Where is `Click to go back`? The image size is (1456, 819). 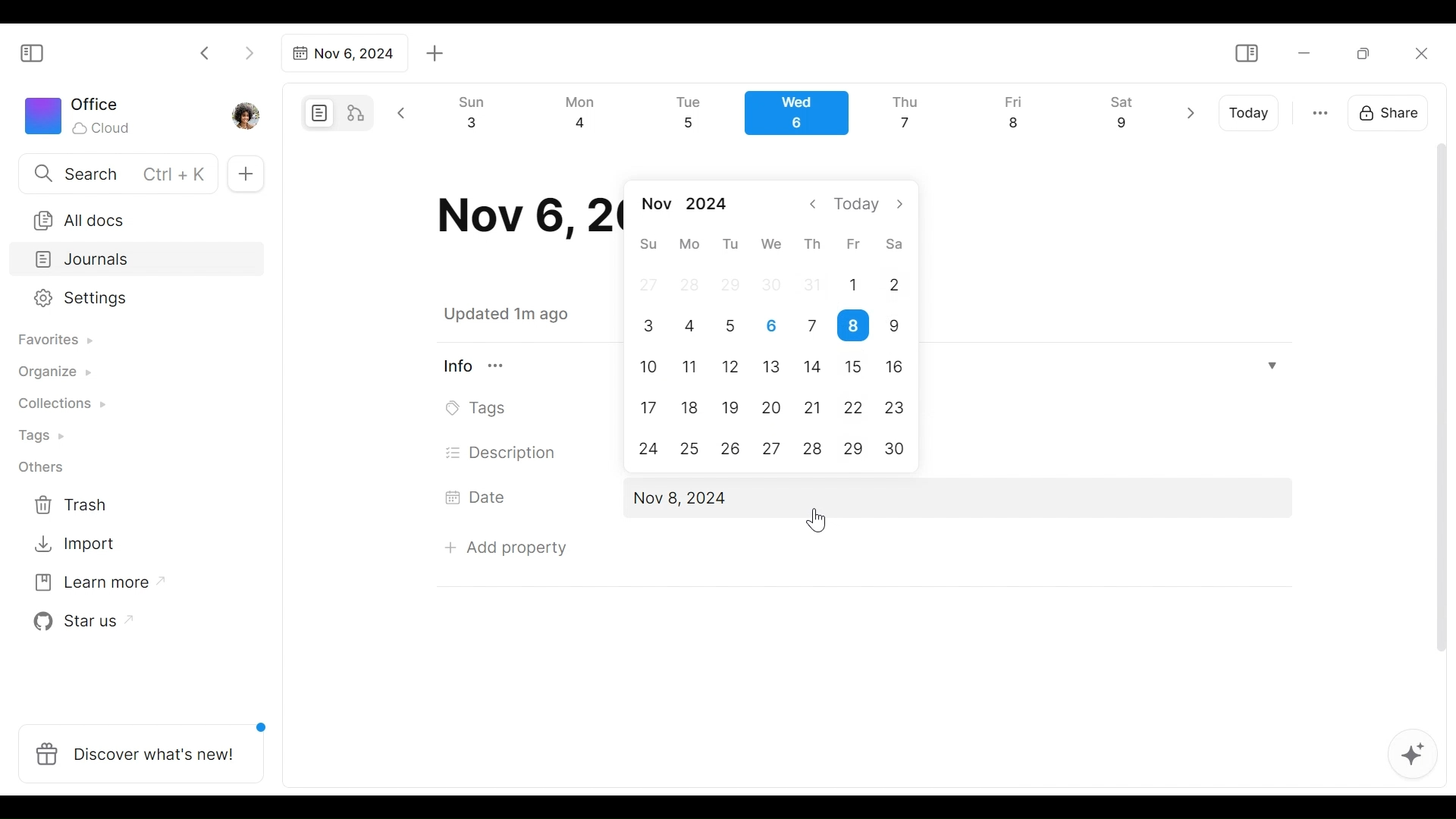
Click to go back is located at coordinates (206, 52).